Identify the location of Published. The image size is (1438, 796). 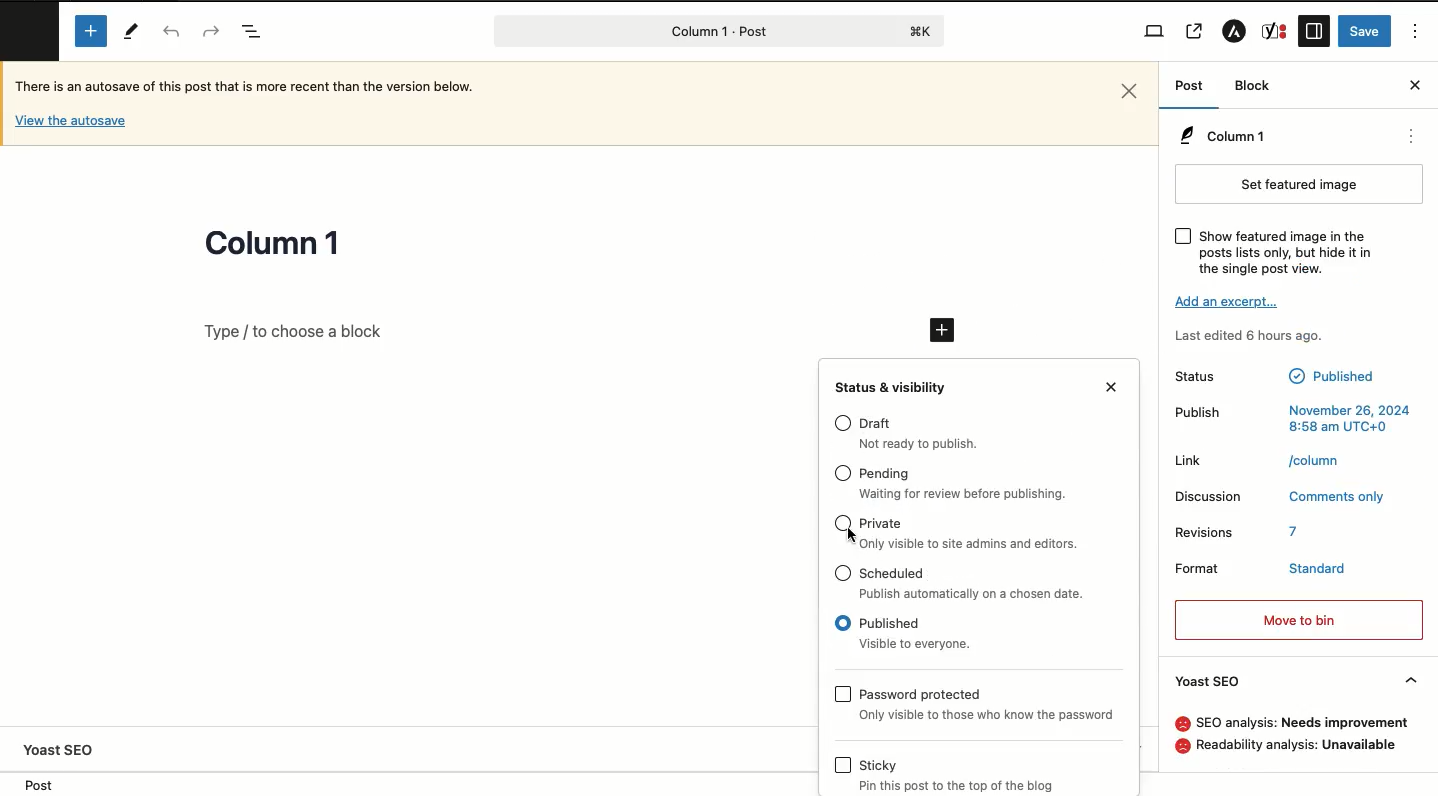
(891, 624).